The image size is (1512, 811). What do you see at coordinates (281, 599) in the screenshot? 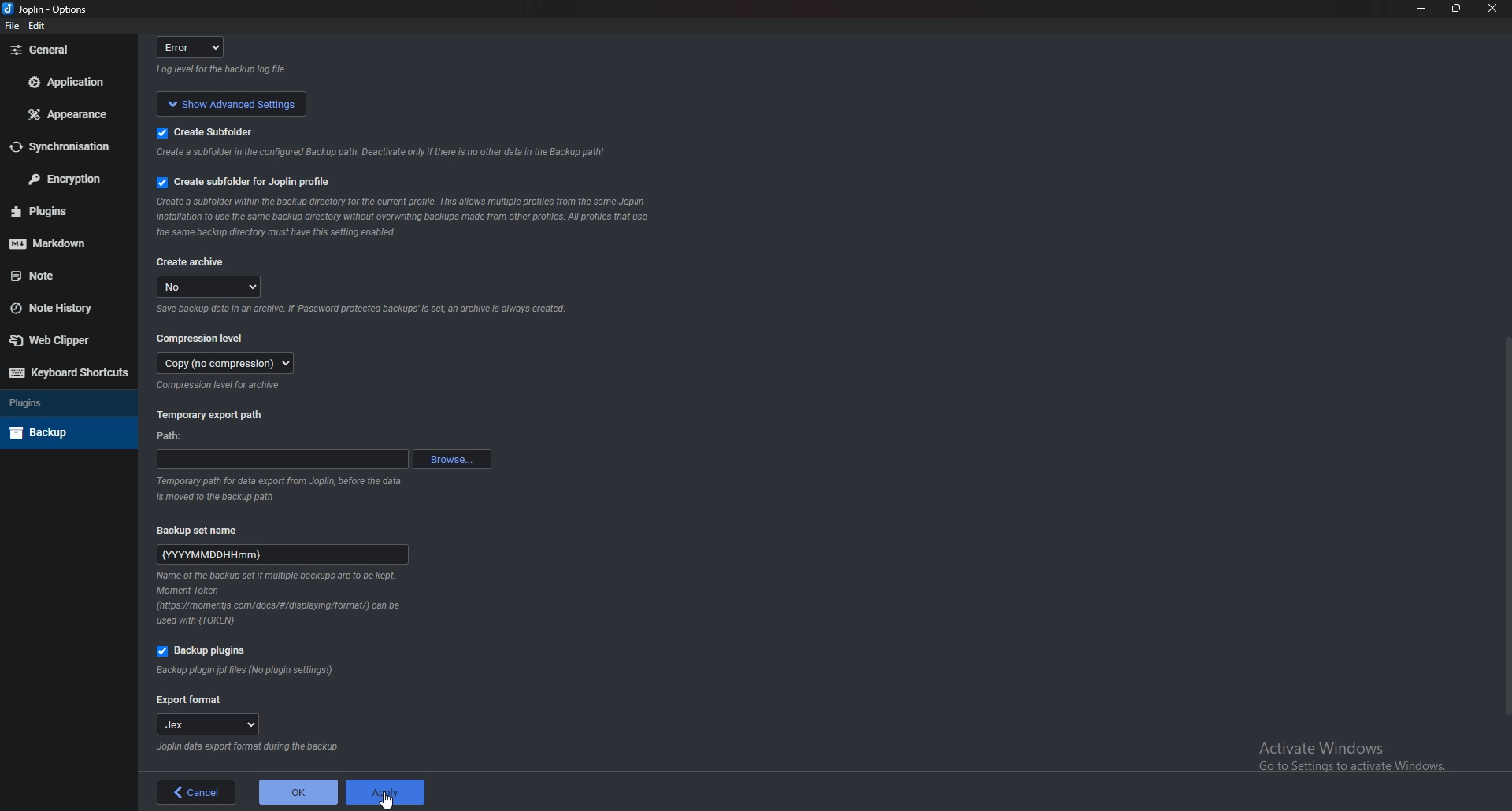
I see `Info` at bounding box center [281, 599].